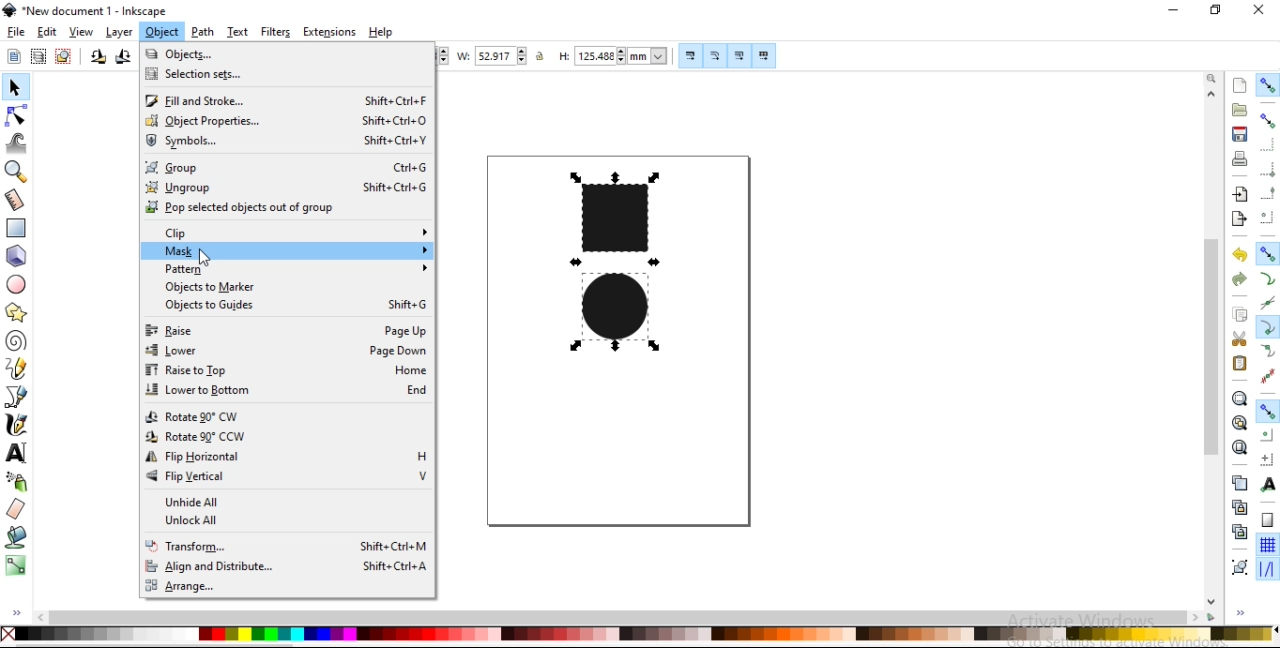 This screenshot has height=648, width=1280. What do you see at coordinates (1268, 194) in the screenshot?
I see `snap midpoints of bounding box edges` at bounding box center [1268, 194].